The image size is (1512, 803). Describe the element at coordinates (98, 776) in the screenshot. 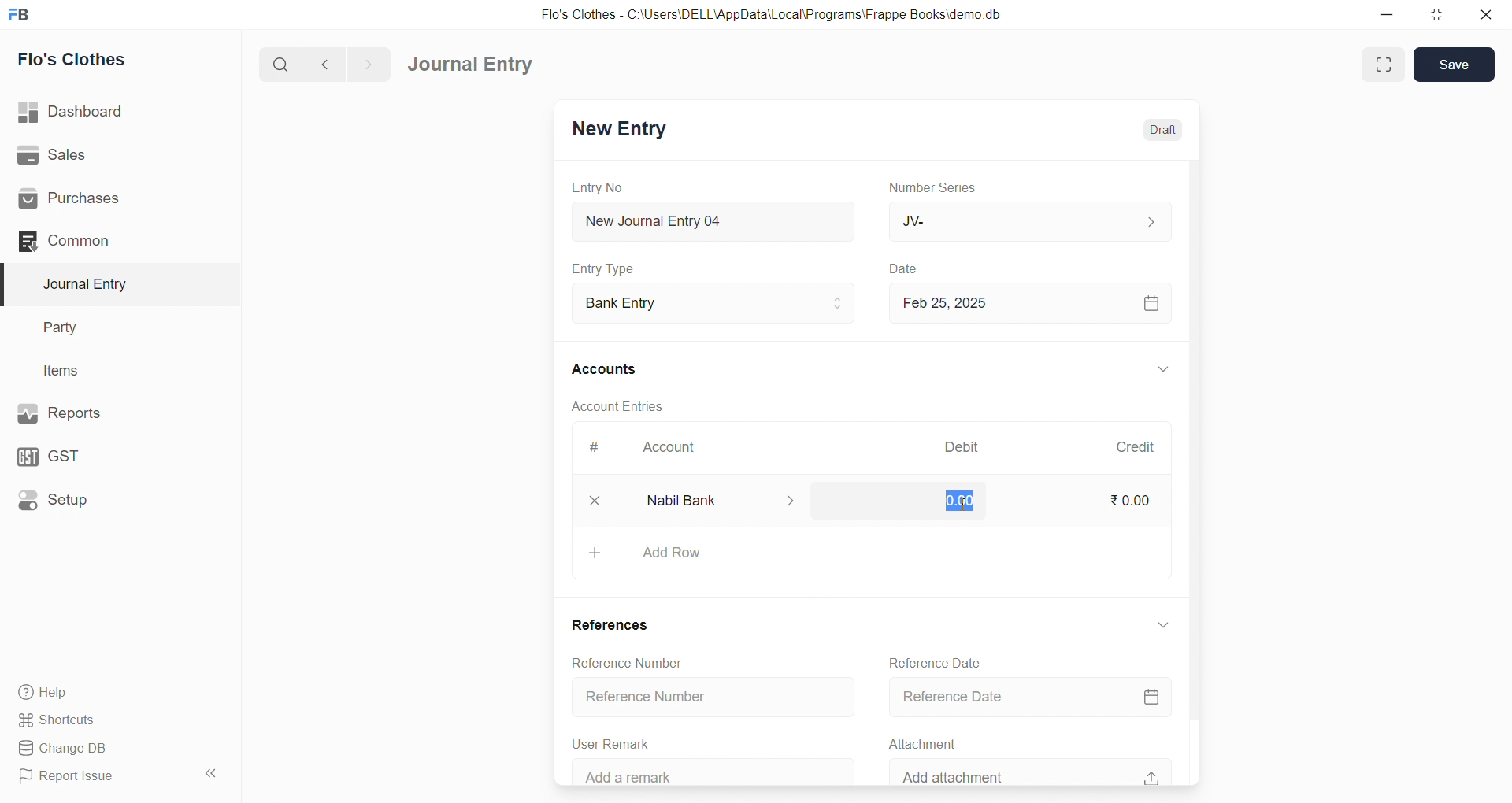

I see `Report Issue` at that location.